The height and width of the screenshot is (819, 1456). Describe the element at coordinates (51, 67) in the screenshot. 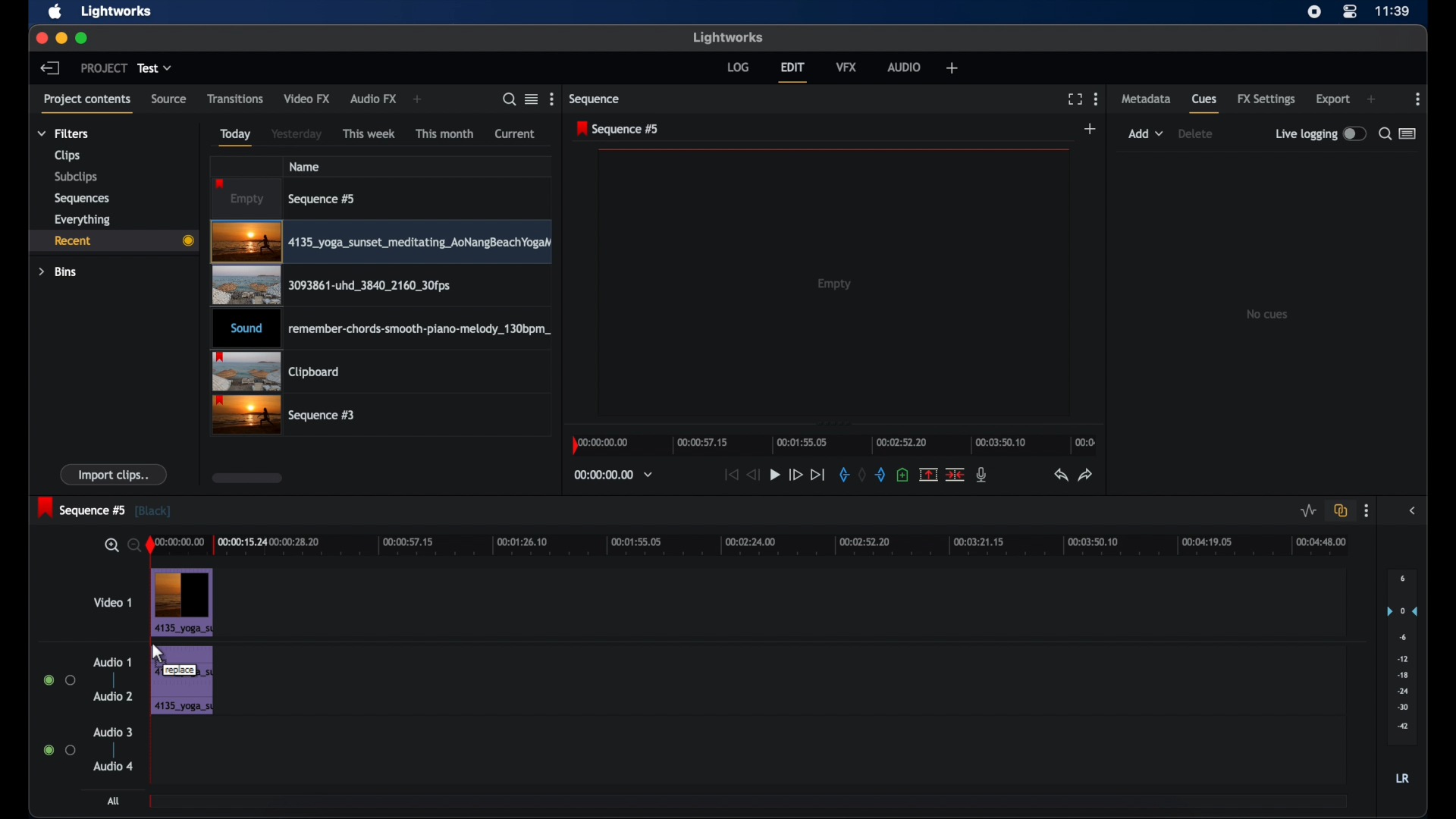

I see `back` at that location.